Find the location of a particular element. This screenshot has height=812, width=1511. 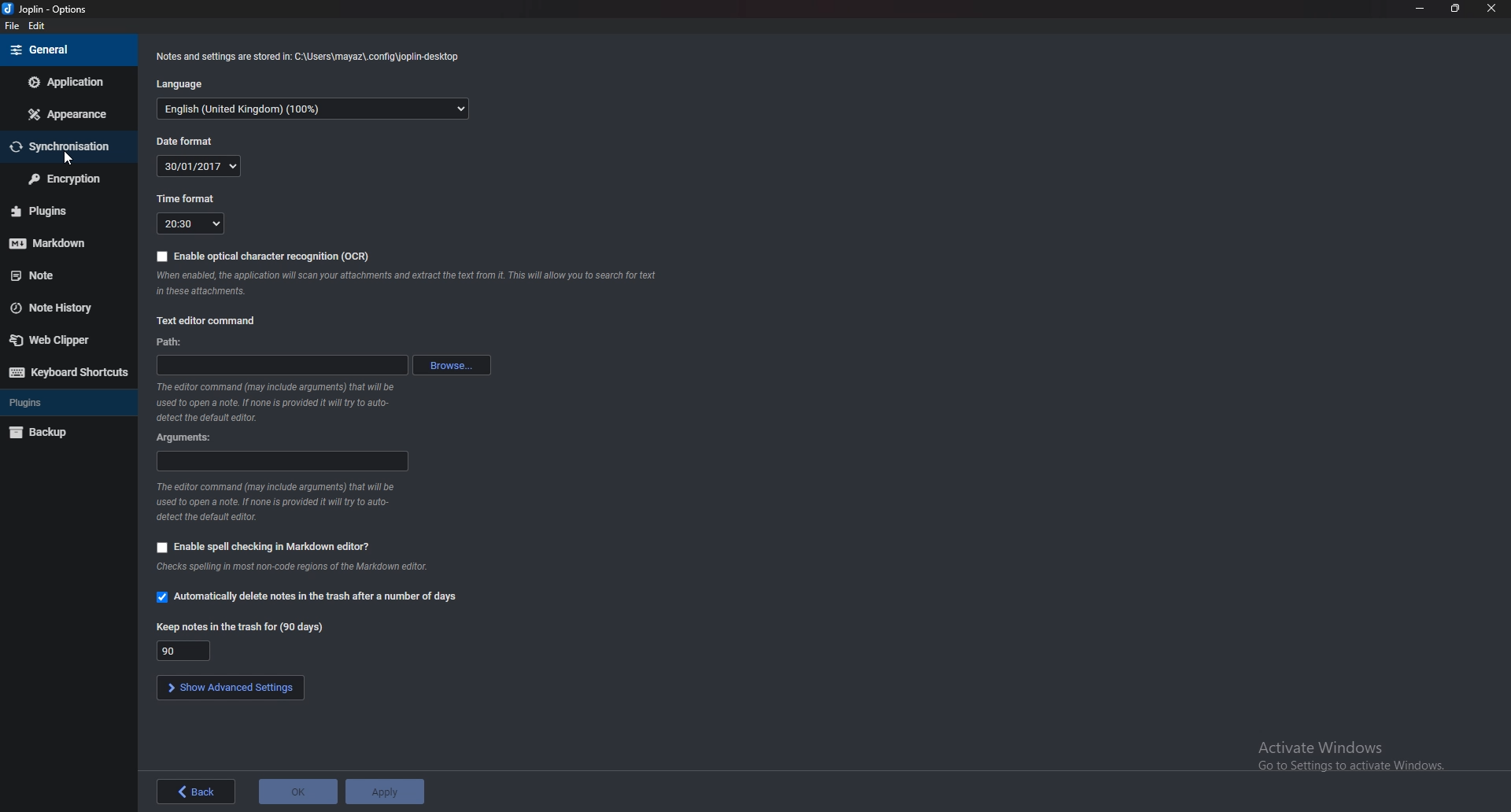

ok is located at coordinates (297, 792).